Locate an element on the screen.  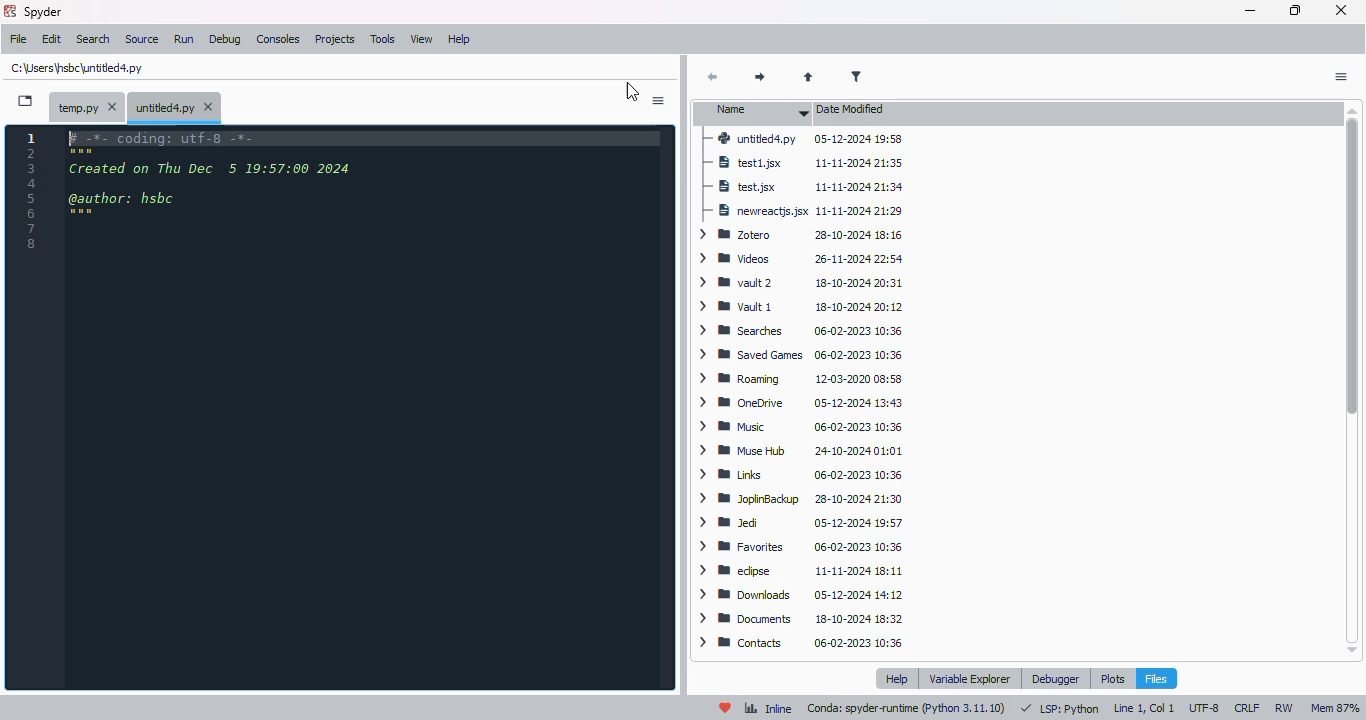
Zotero is located at coordinates (800, 284).